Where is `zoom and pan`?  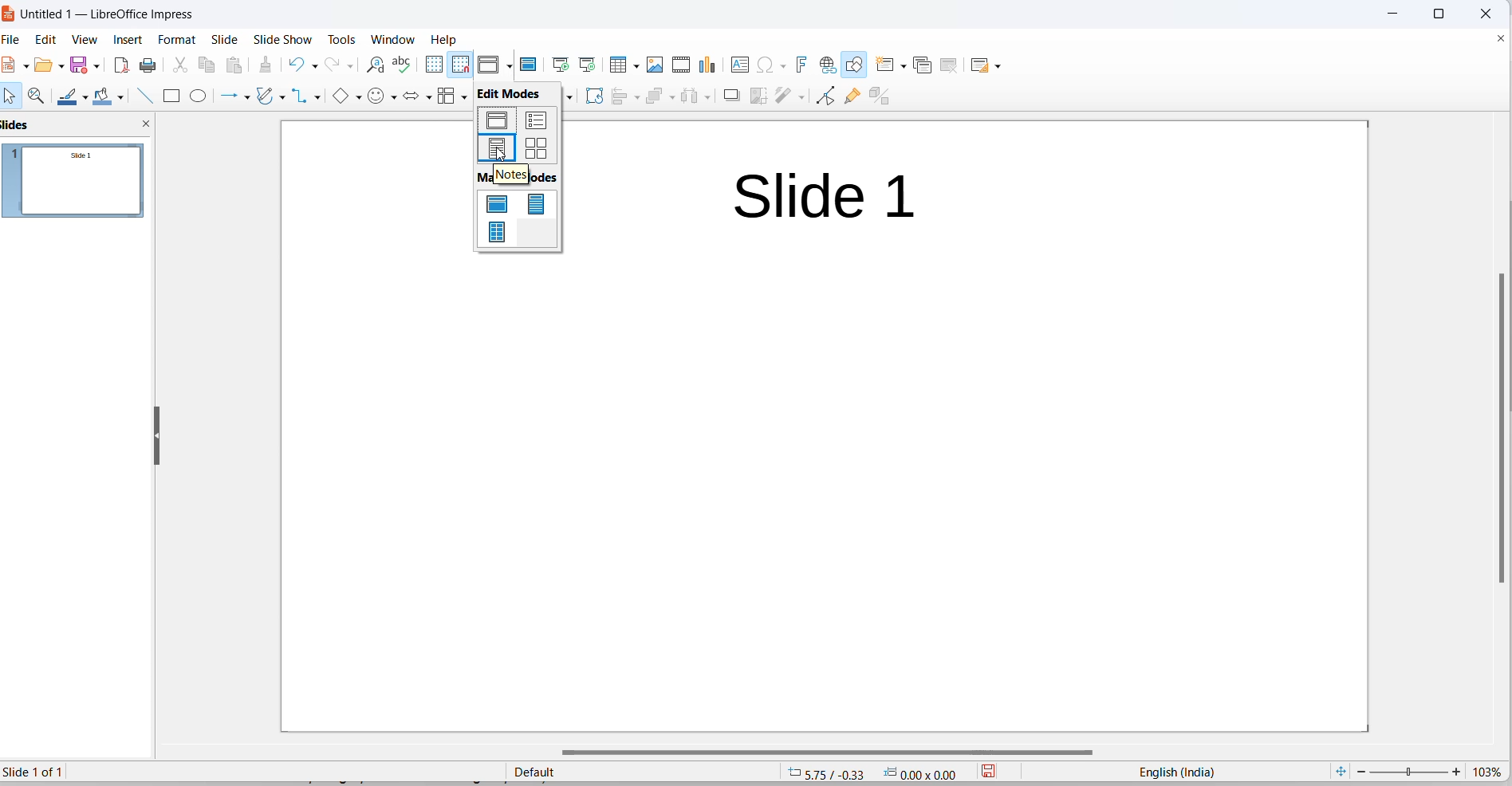
zoom and pan is located at coordinates (41, 96).